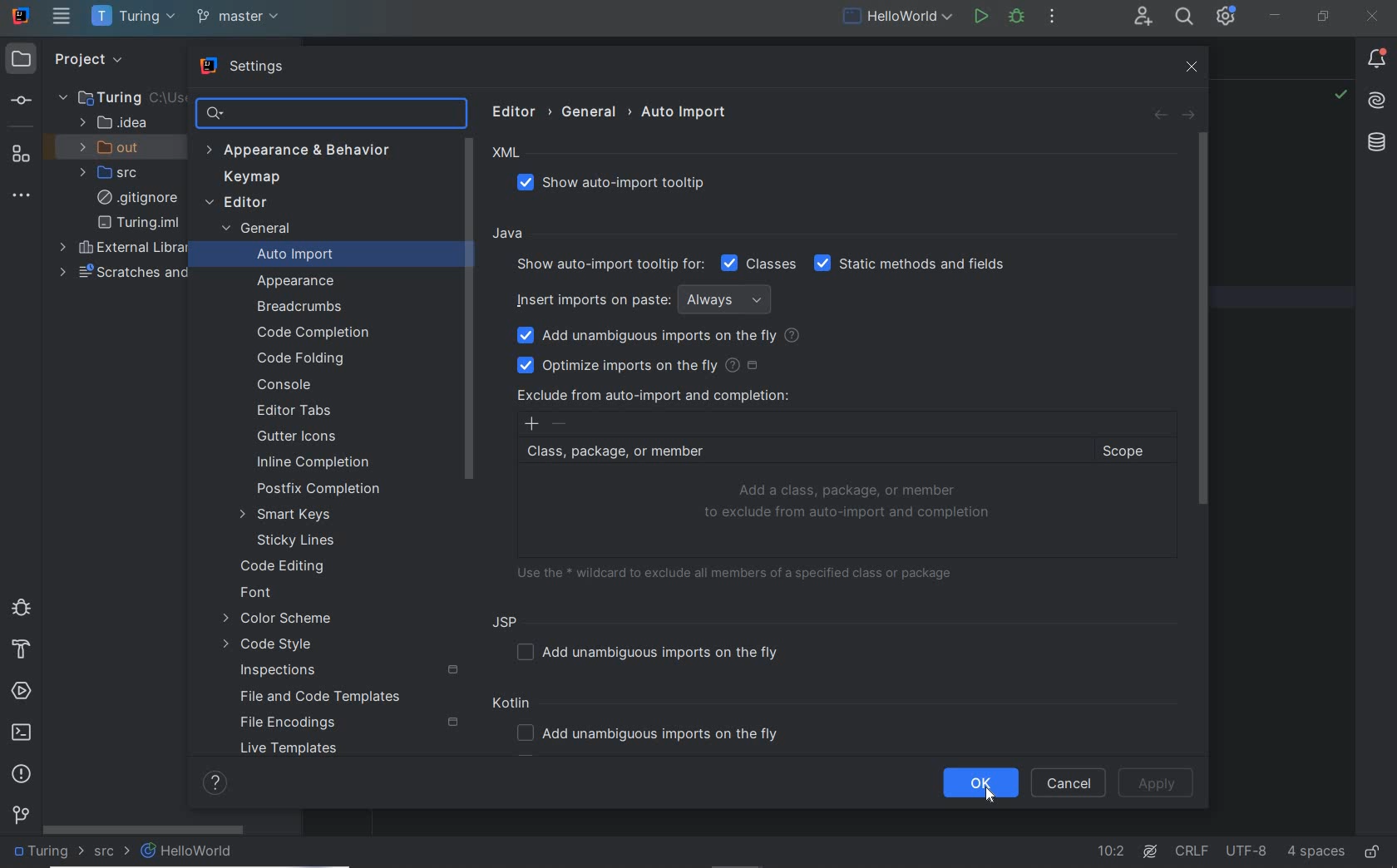 This screenshot has height=868, width=1397. What do you see at coordinates (284, 384) in the screenshot?
I see `CONSOLE` at bounding box center [284, 384].